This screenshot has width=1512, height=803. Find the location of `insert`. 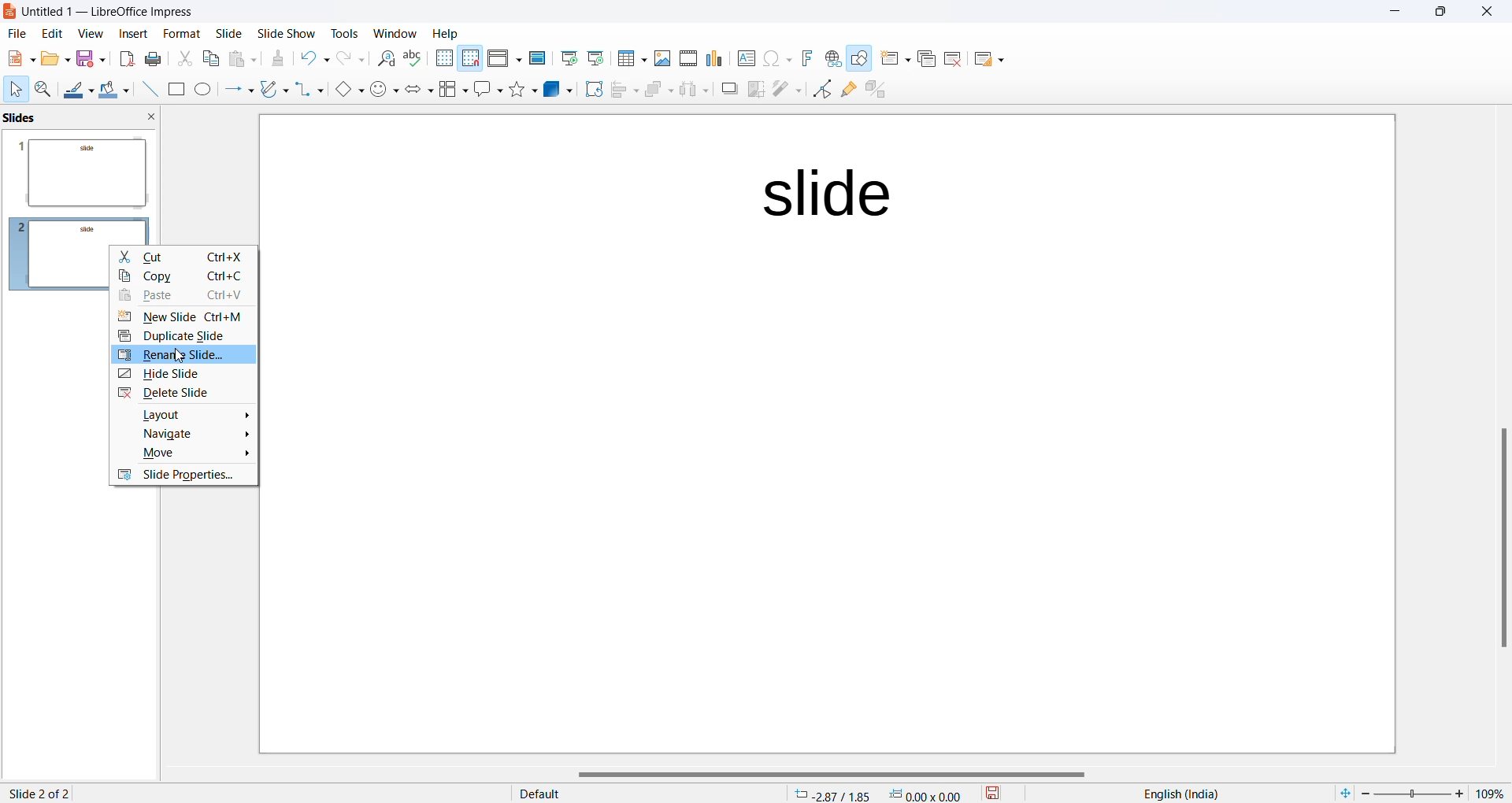

insert is located at coordinates (126, 35).